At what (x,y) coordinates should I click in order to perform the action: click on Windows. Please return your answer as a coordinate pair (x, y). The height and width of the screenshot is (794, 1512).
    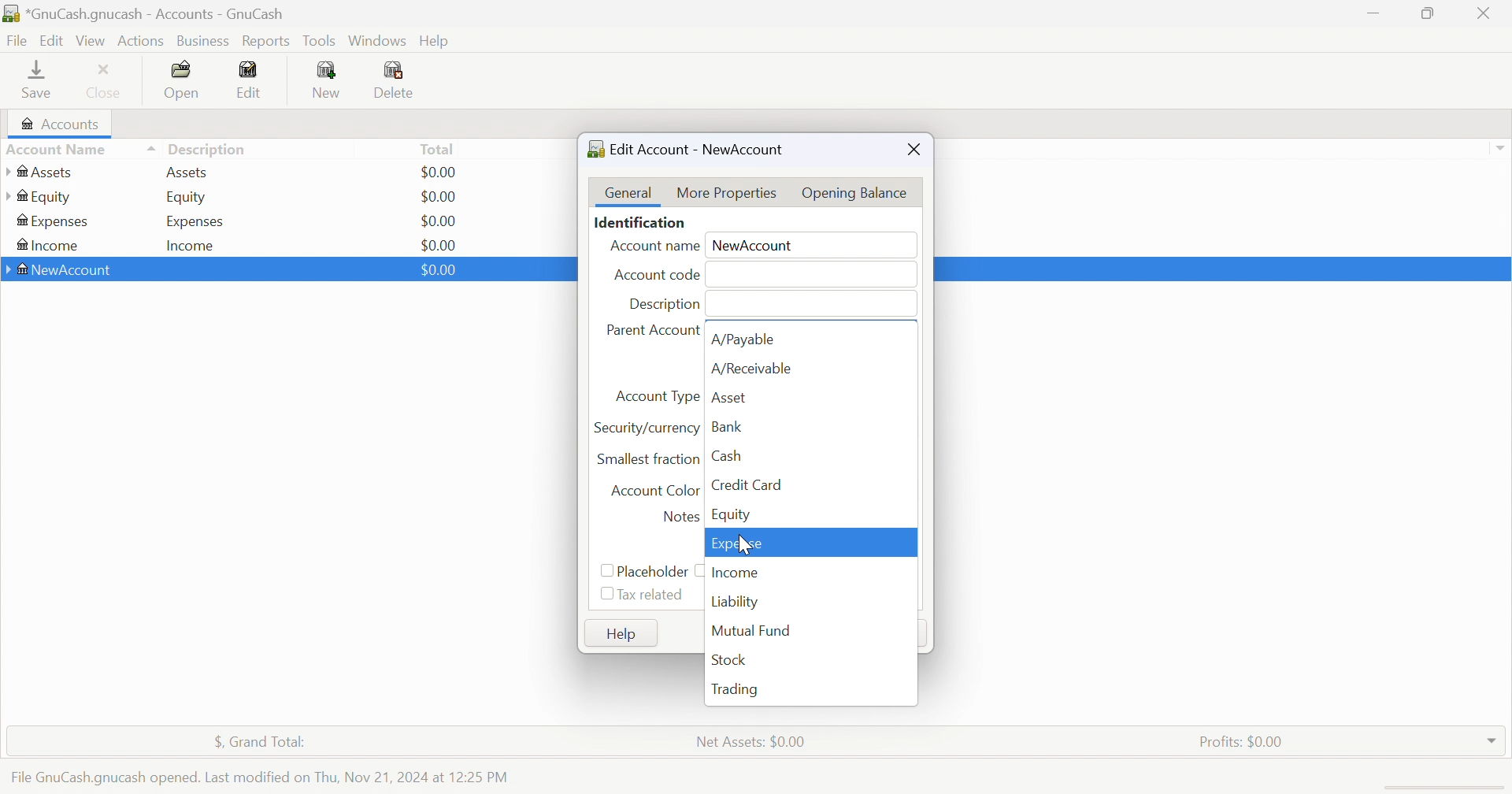
    Looking at the image, I should click on (377, 41).